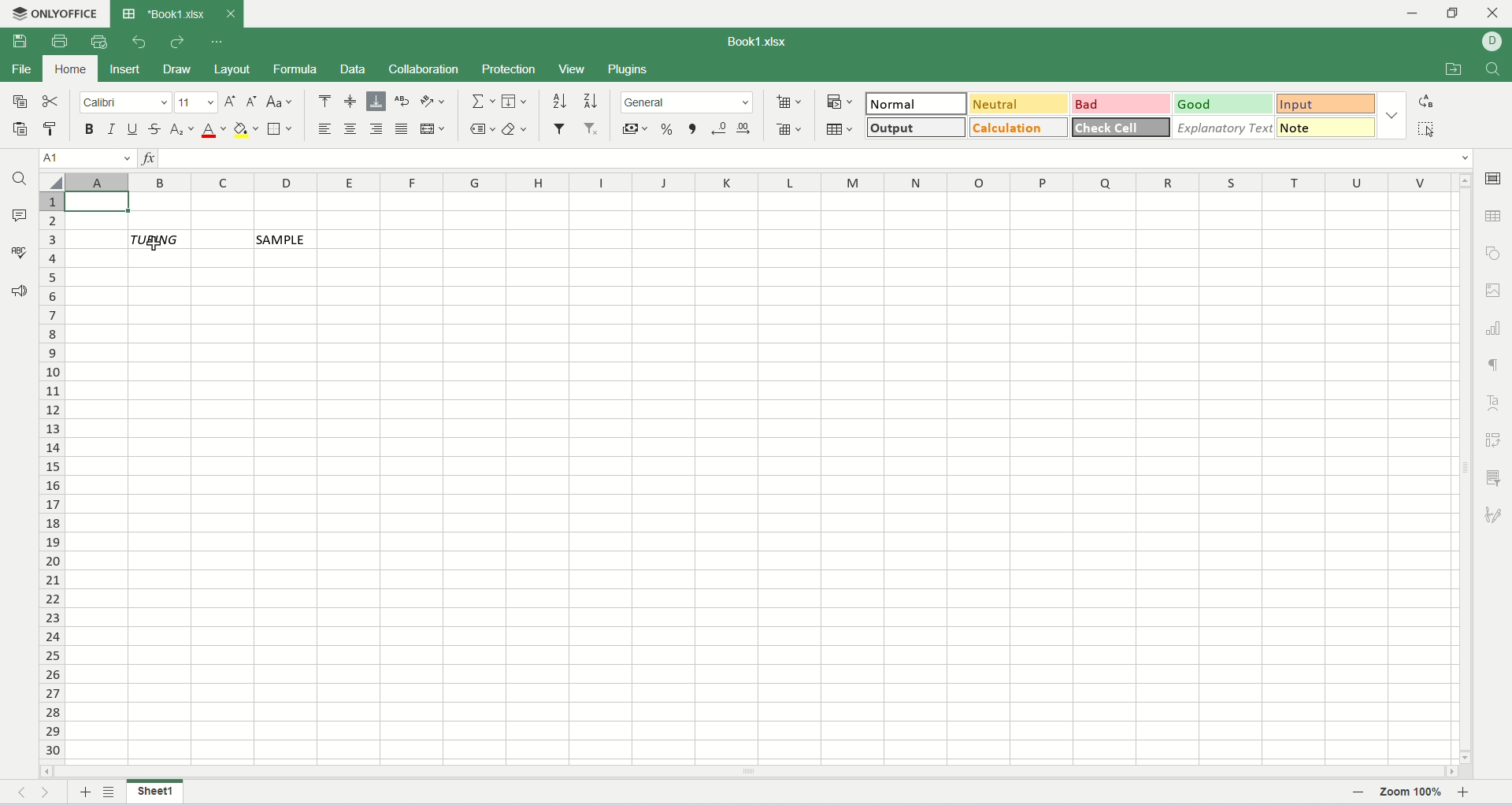  I want to click on background color, so click(246, 131).